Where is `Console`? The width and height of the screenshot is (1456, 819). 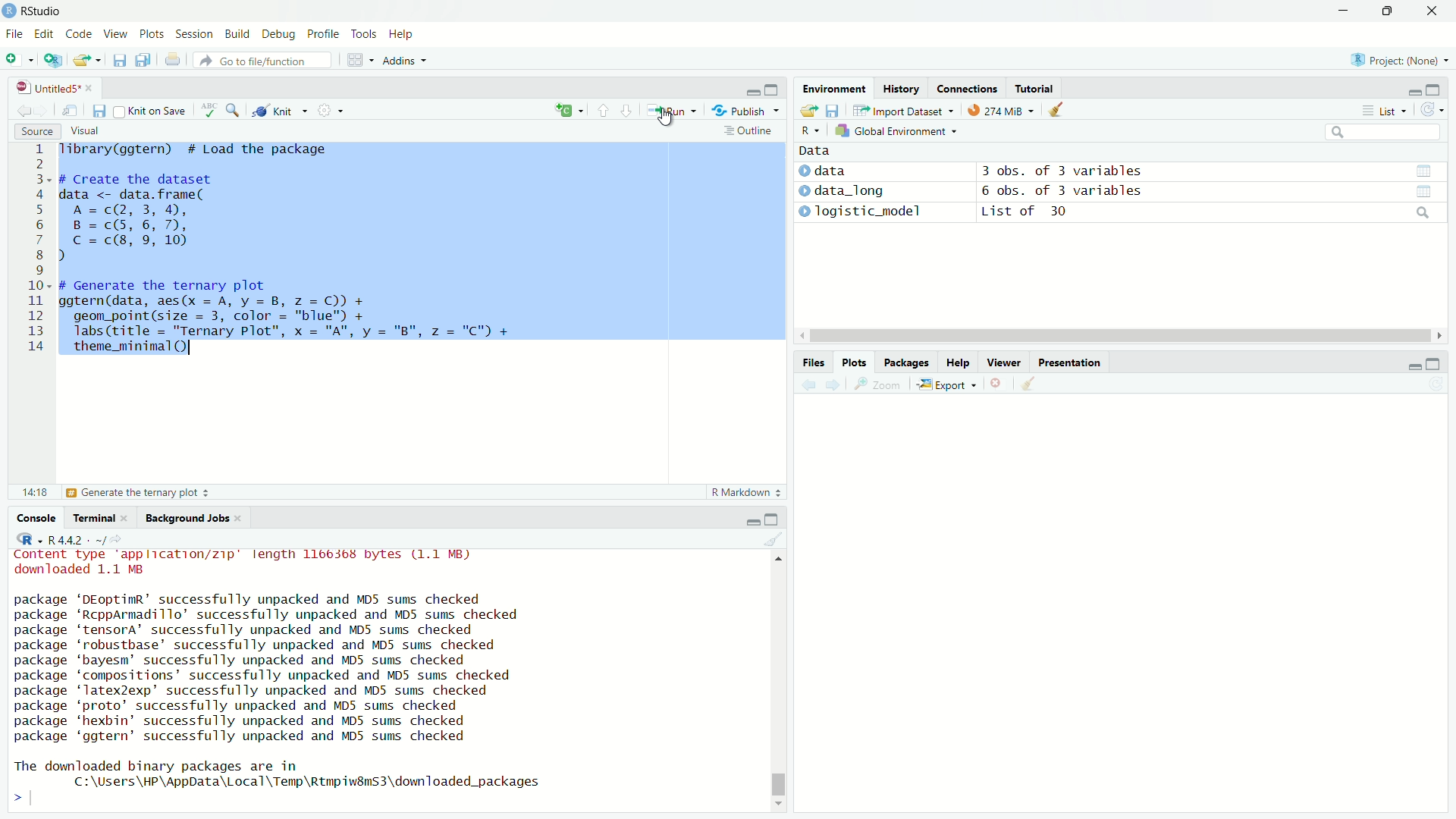
Console is located at coordinates (40, 518).